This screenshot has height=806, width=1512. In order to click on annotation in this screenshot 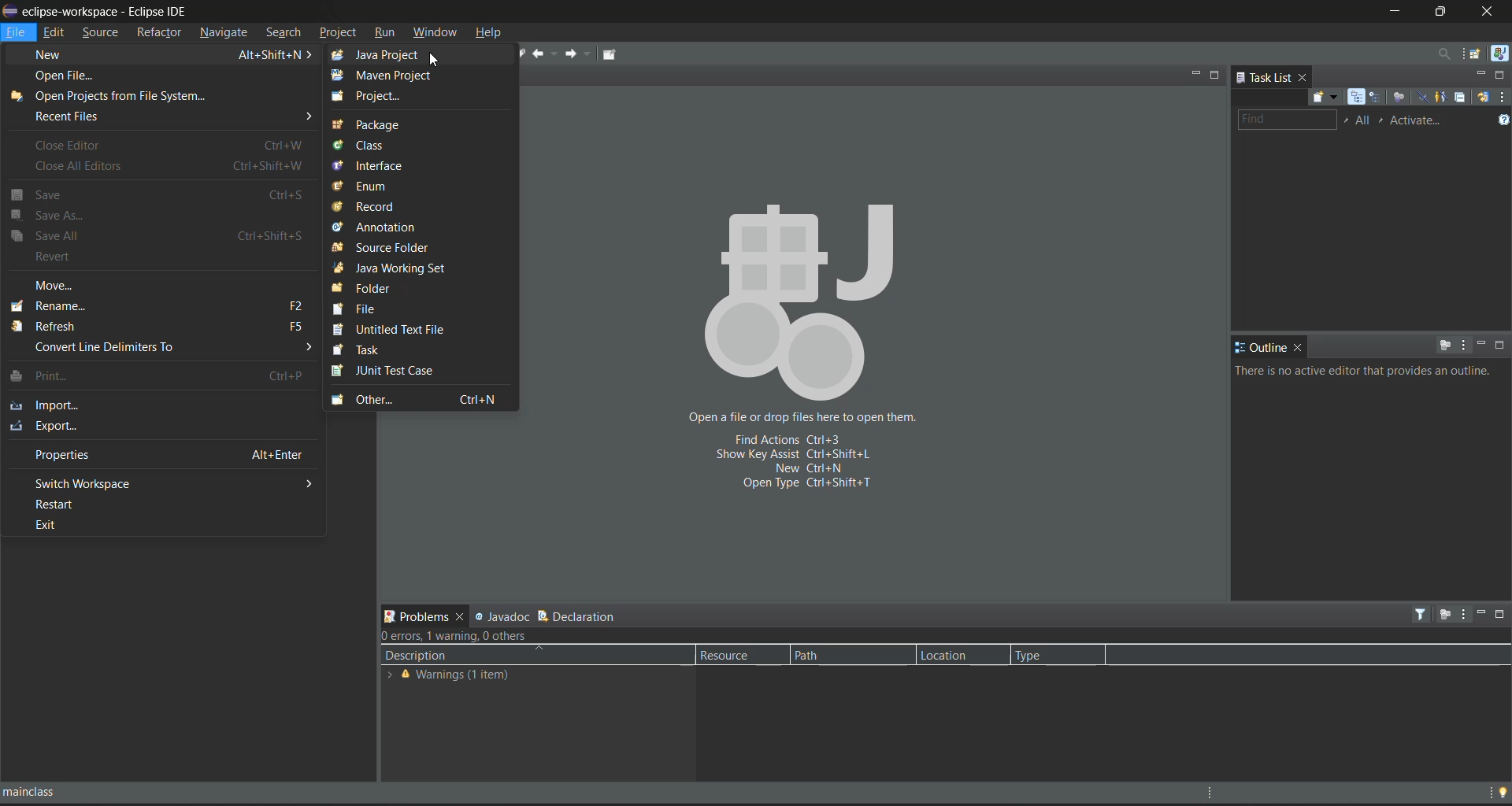, I will do `click(382, 227)`.